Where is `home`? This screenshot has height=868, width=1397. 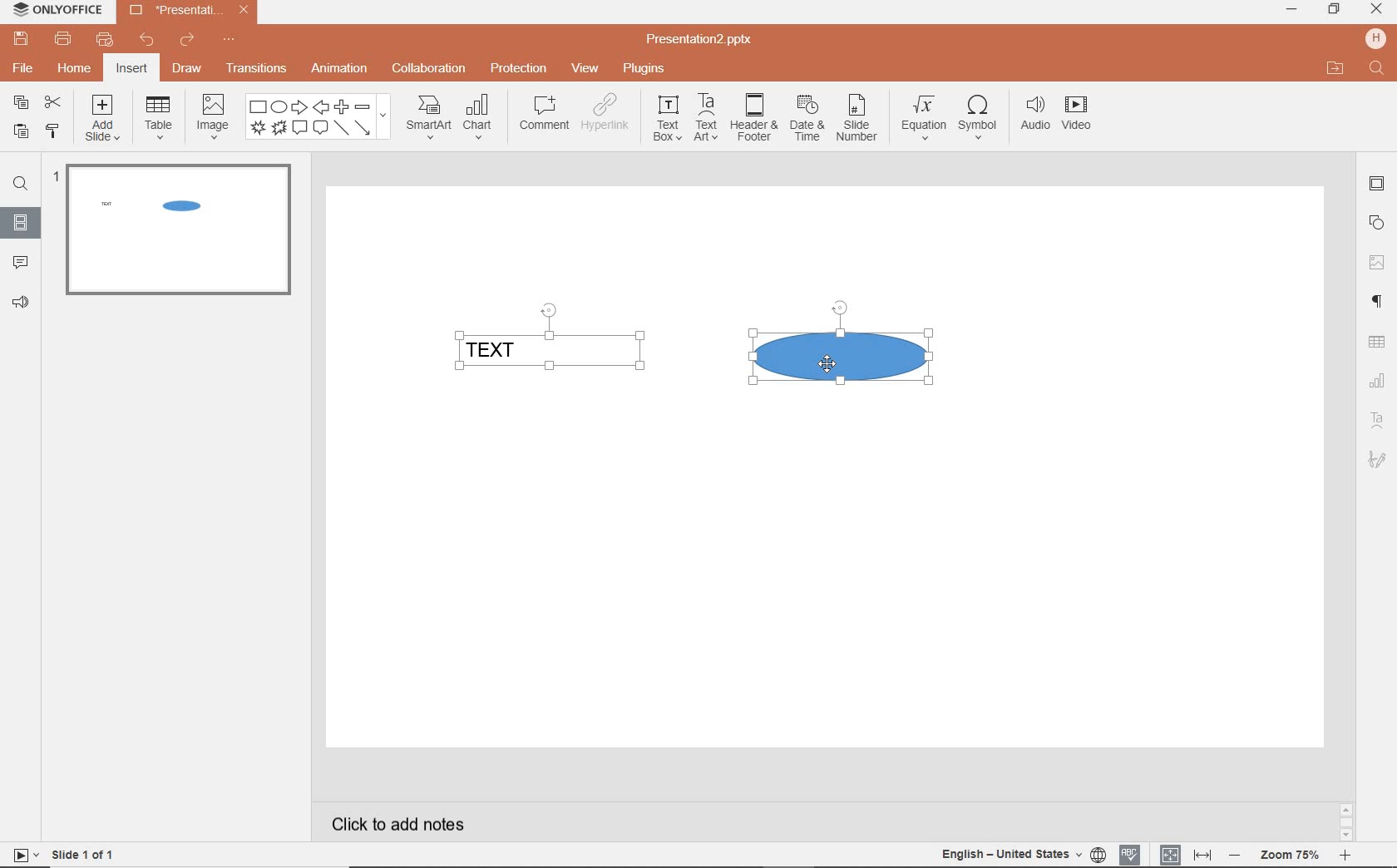 home is located at coordinates (76, 69).